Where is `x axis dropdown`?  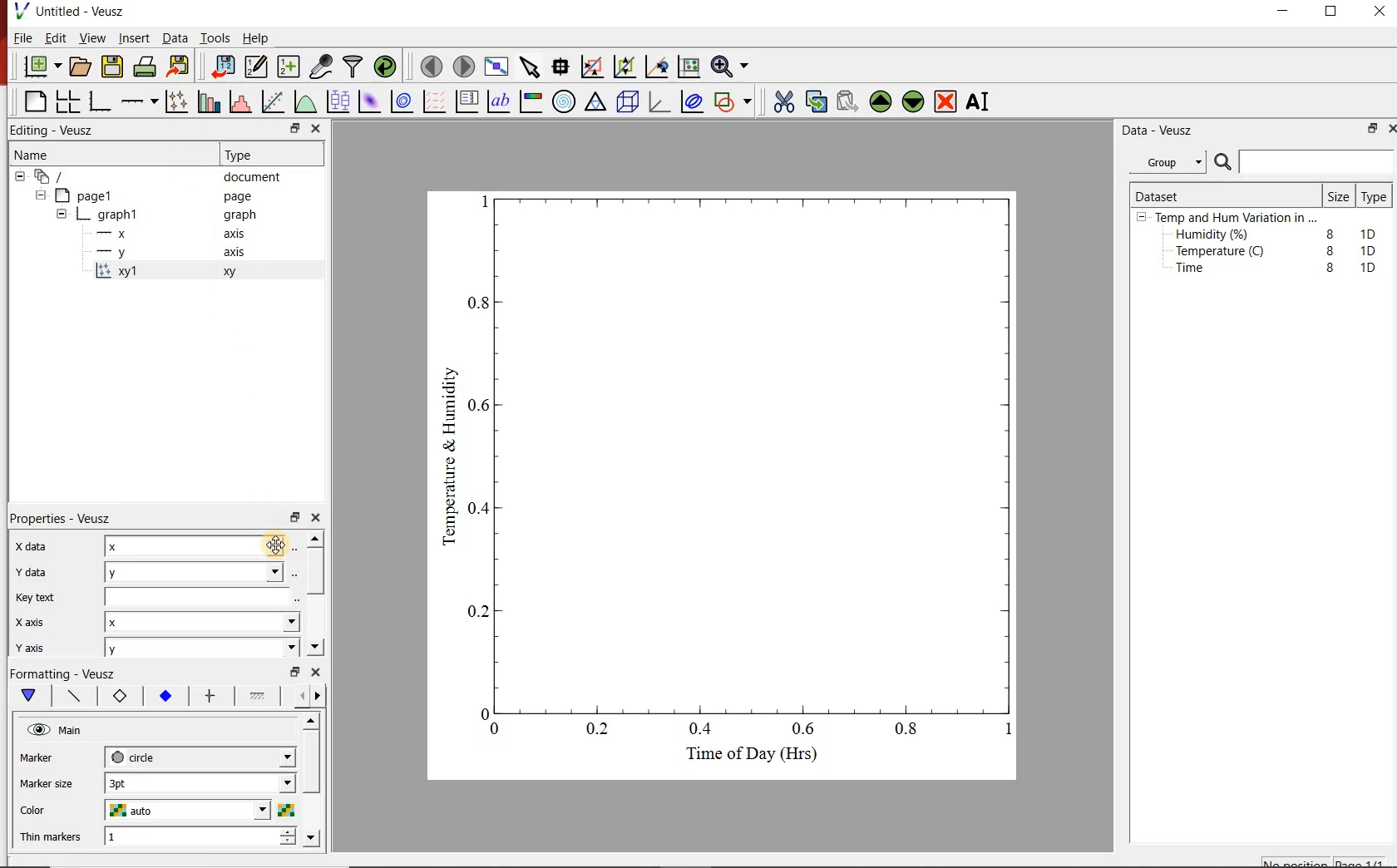 x axis dropdown is located at coordinates (273, 623).